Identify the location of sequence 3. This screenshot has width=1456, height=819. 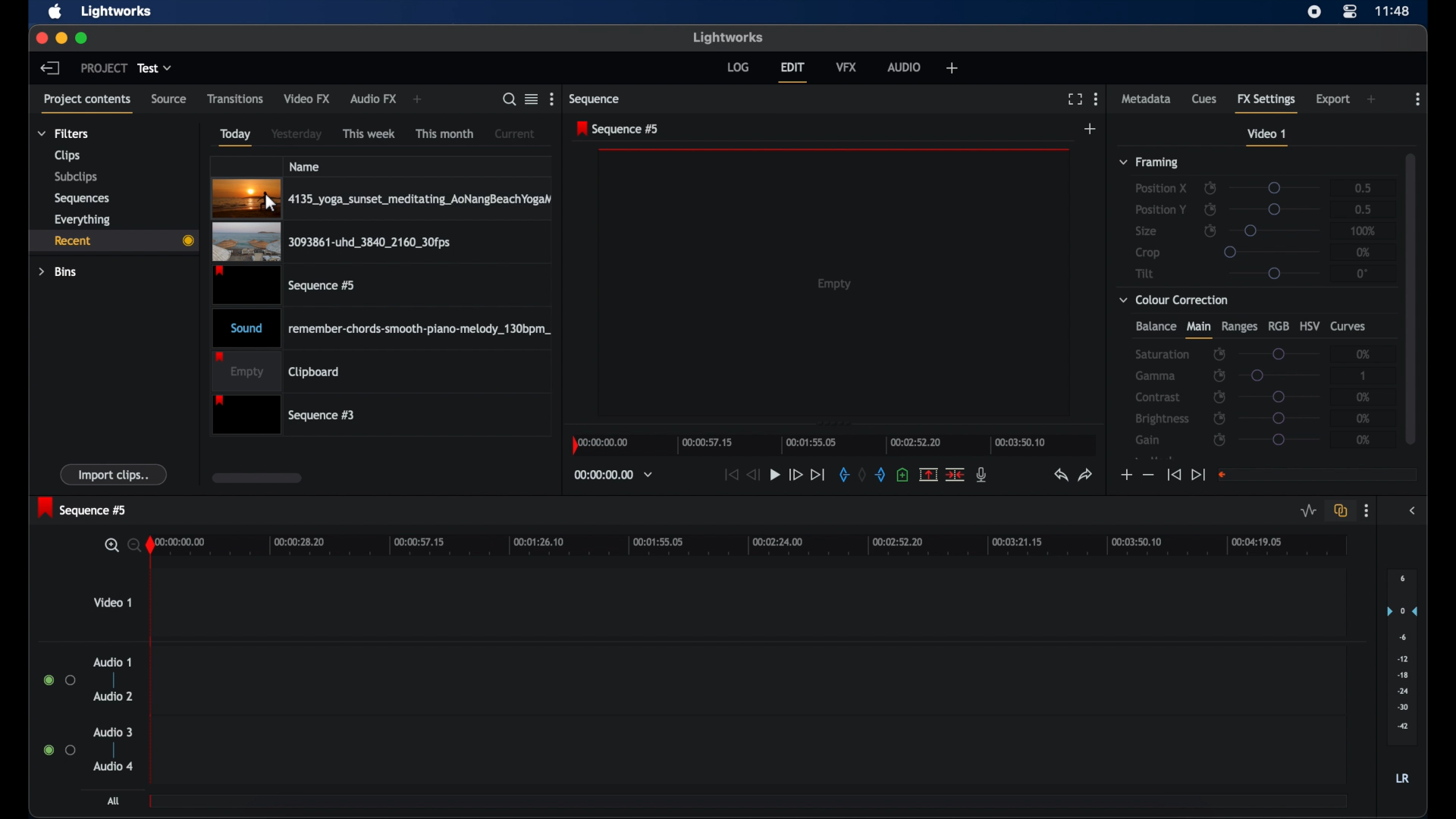
(284, 414).